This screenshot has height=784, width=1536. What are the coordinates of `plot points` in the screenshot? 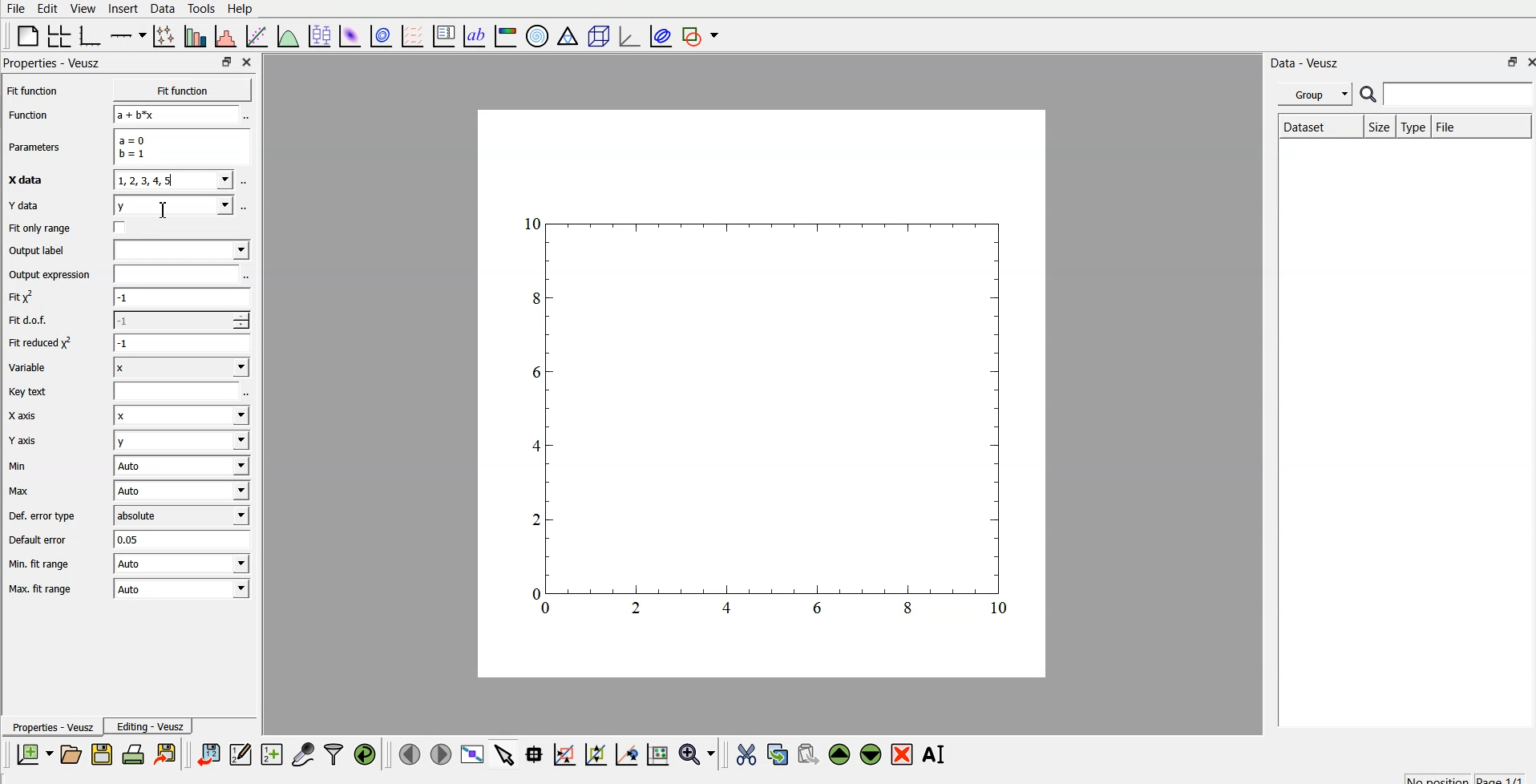 It's located at (164, 36).